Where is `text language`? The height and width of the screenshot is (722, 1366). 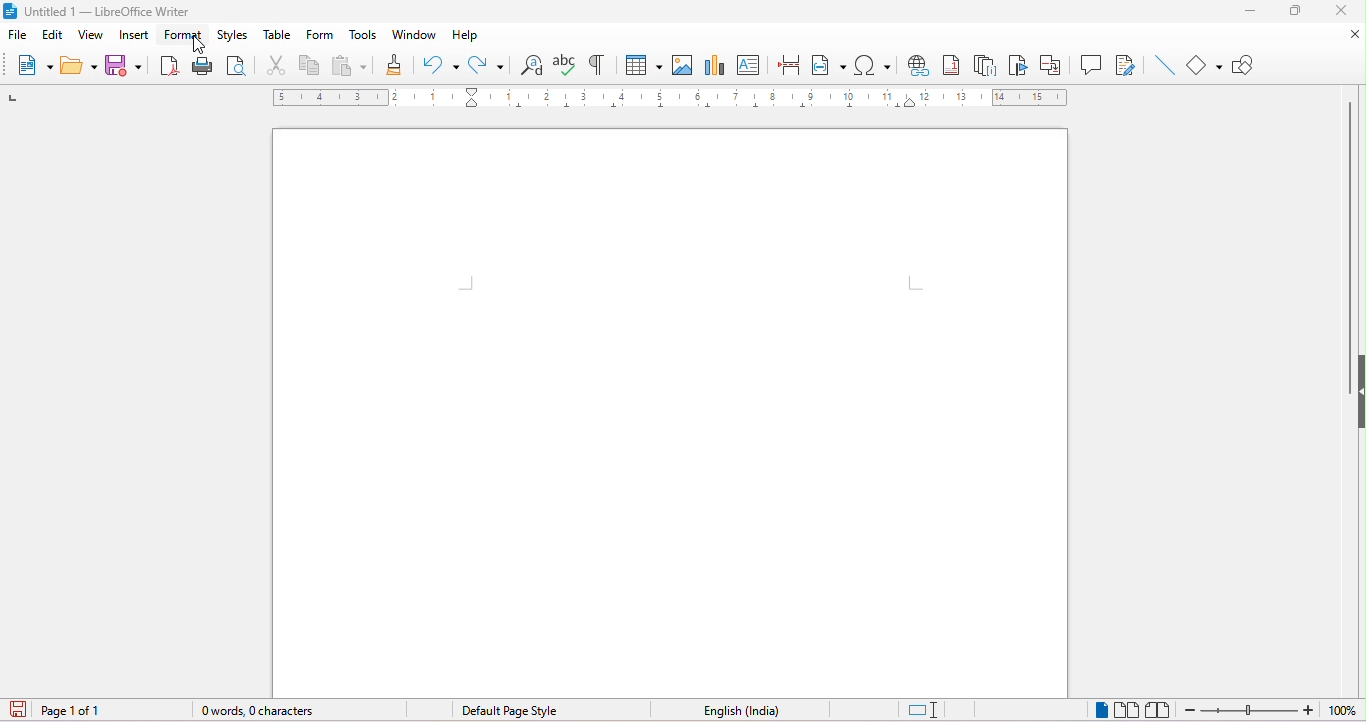
text language is located at coordinates (741, 712).